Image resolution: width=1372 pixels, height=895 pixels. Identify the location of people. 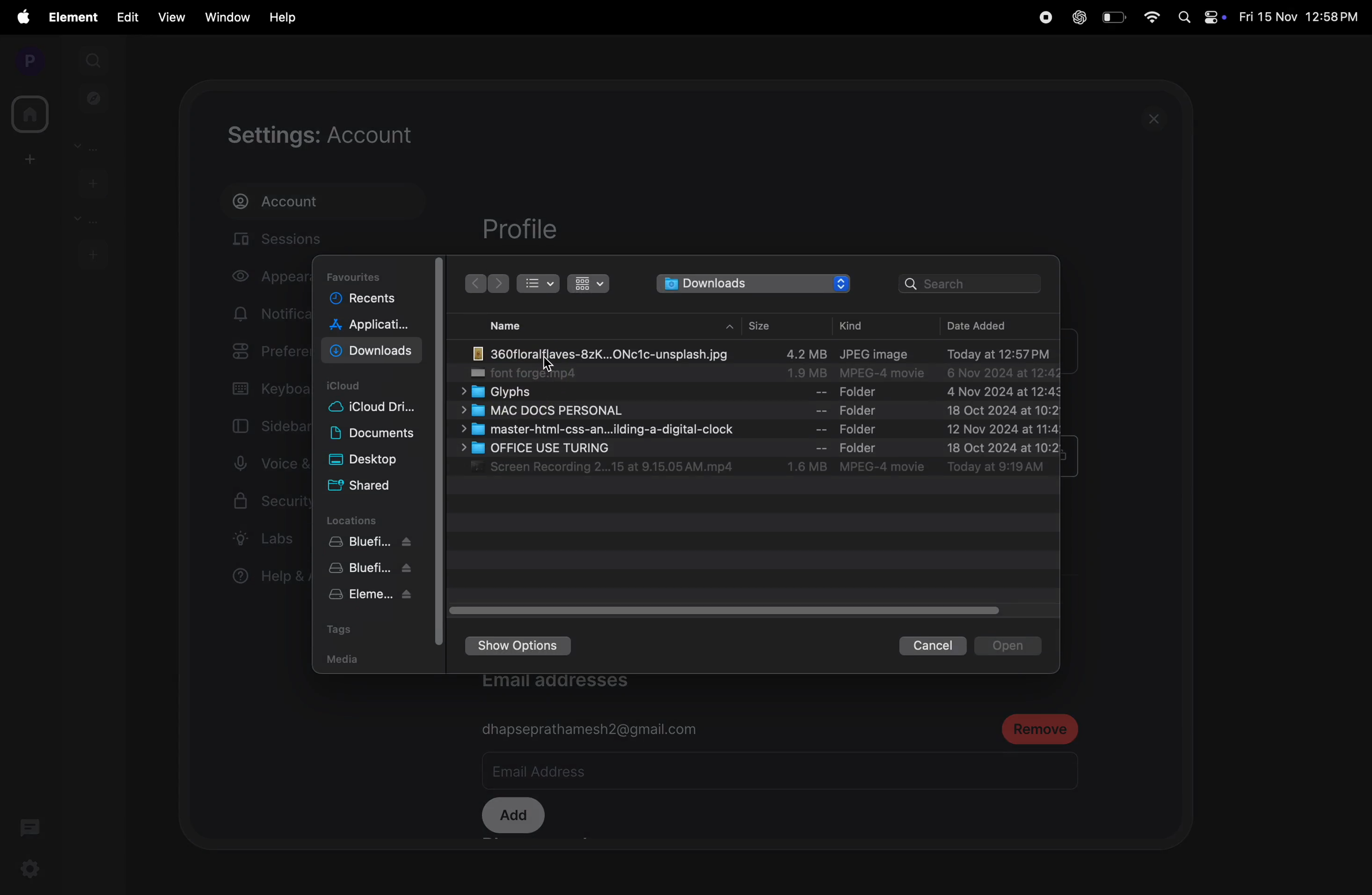
(91, 146).